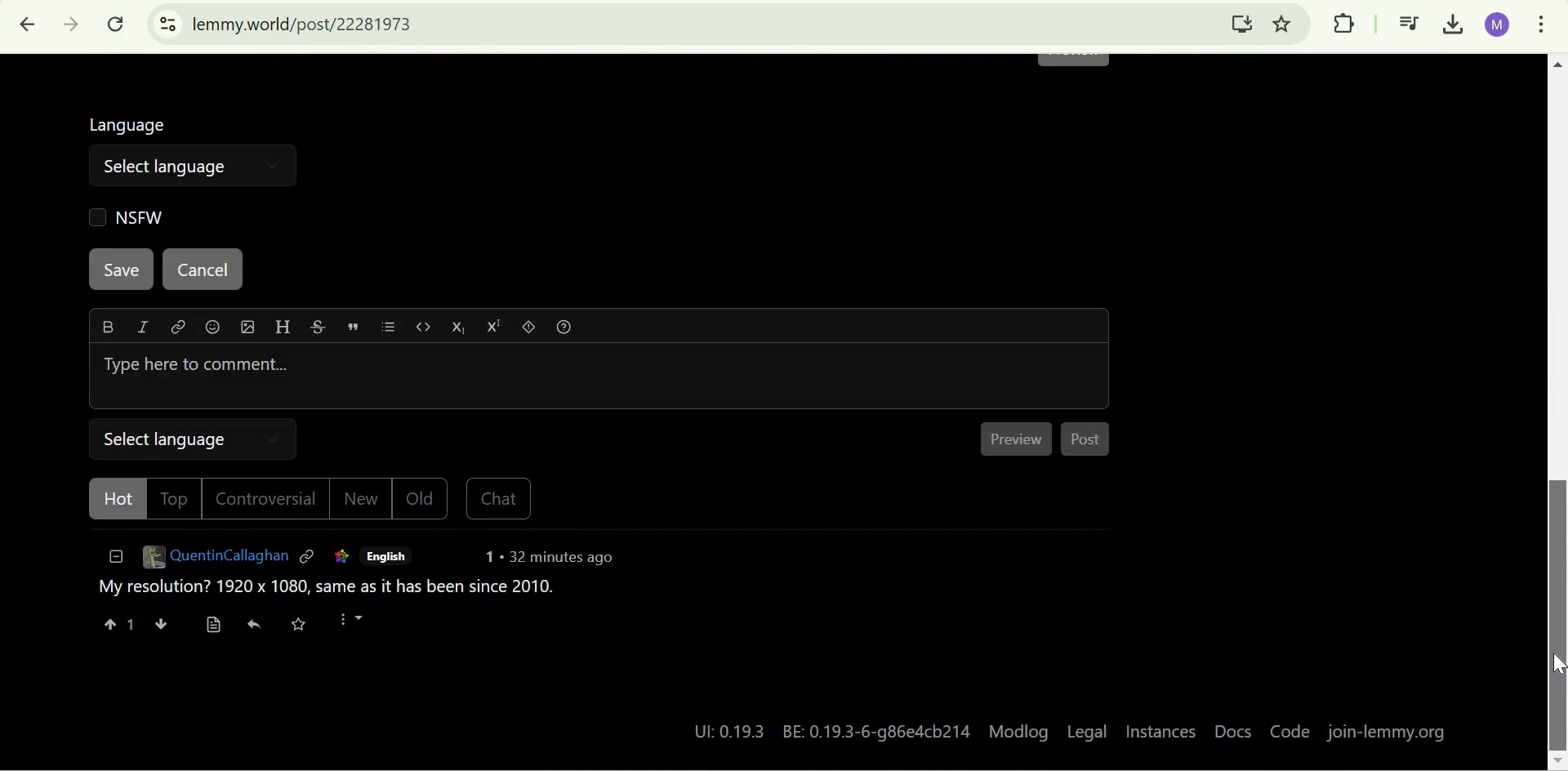 This screenshot has height=771, width=1568. I want to click on Hot, so click(112, 501).